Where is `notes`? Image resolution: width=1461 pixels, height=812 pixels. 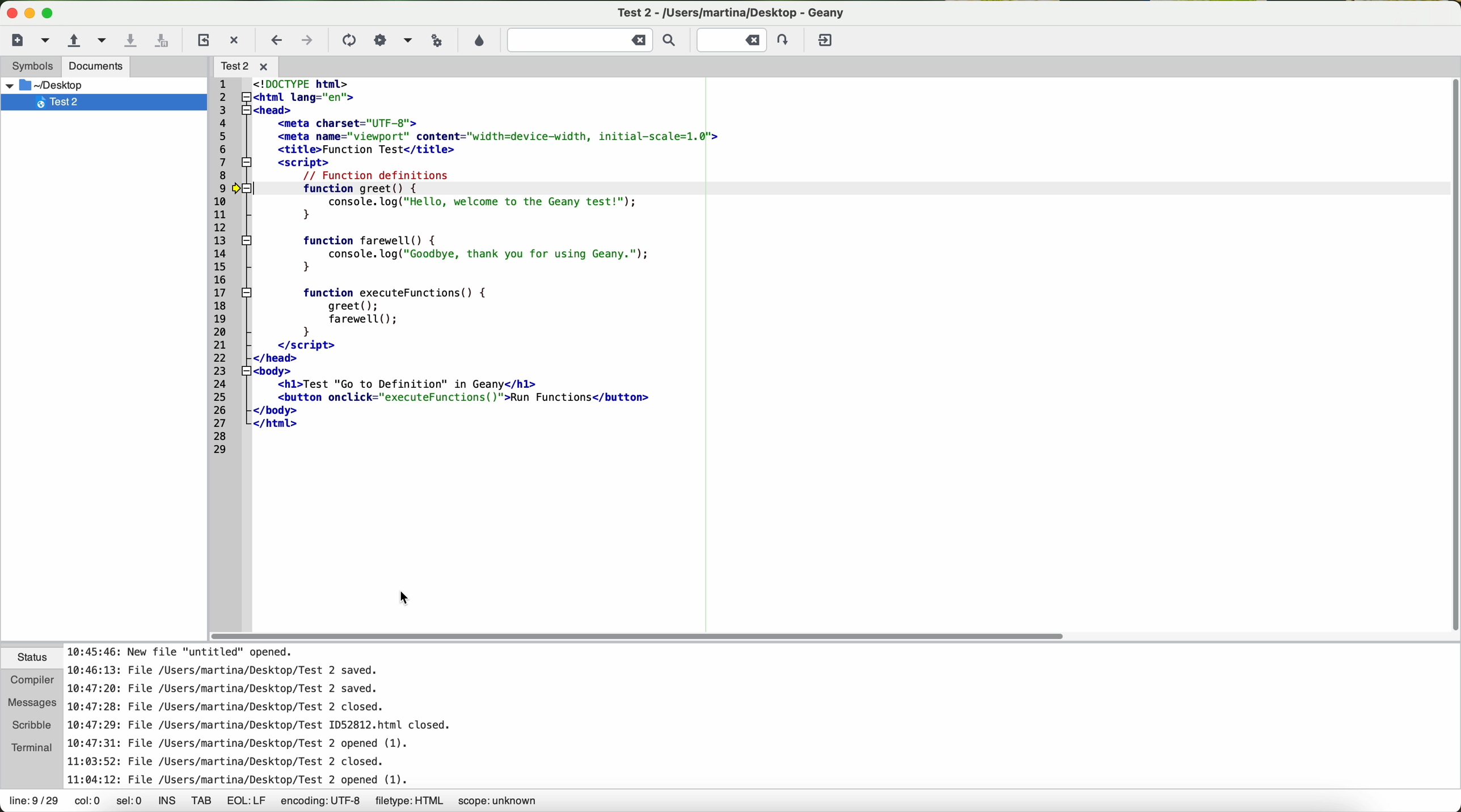 notes is located at coordinates (286, 716).